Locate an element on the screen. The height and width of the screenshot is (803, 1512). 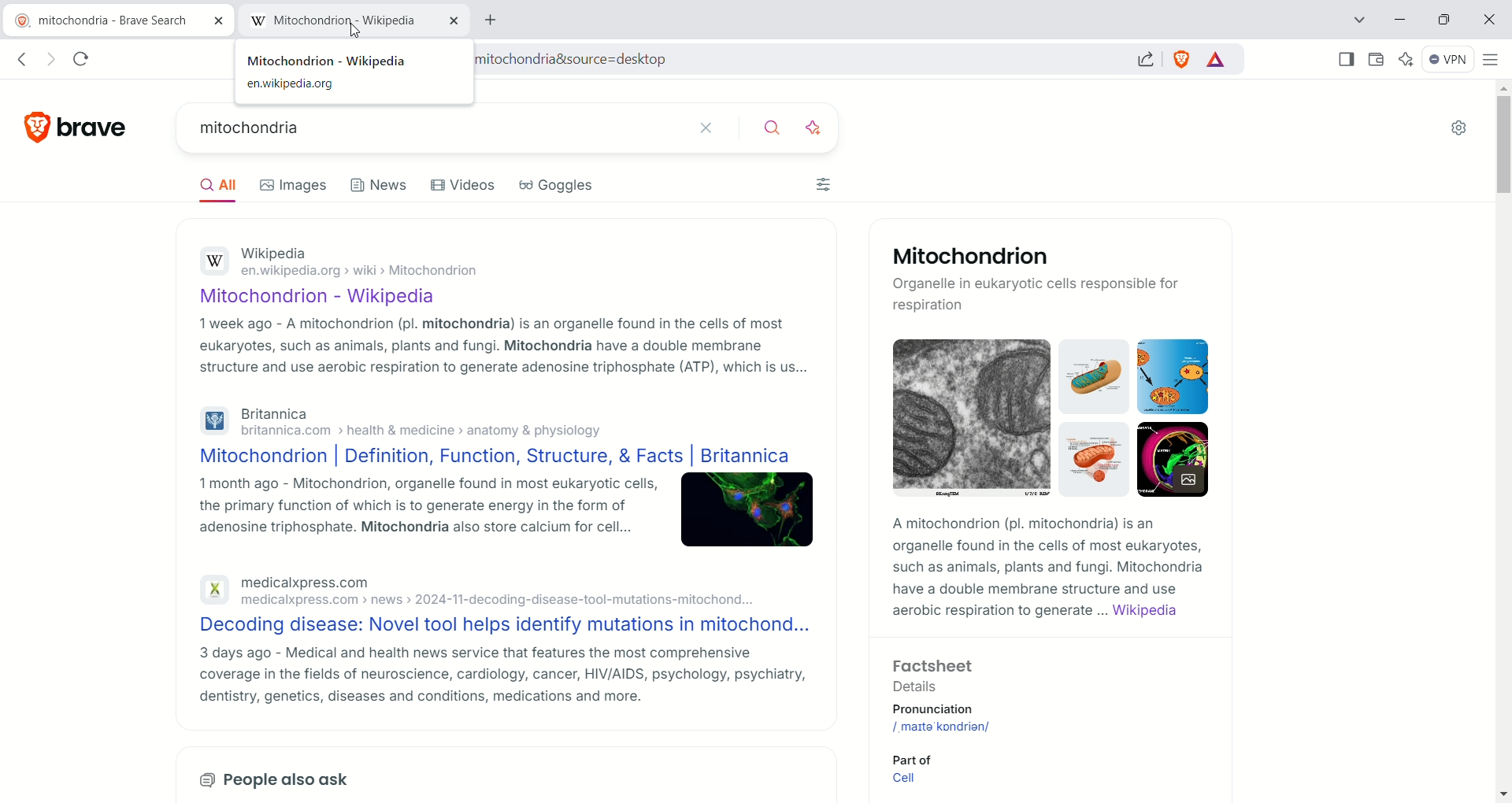
image is located at coordinates (1047, 416).